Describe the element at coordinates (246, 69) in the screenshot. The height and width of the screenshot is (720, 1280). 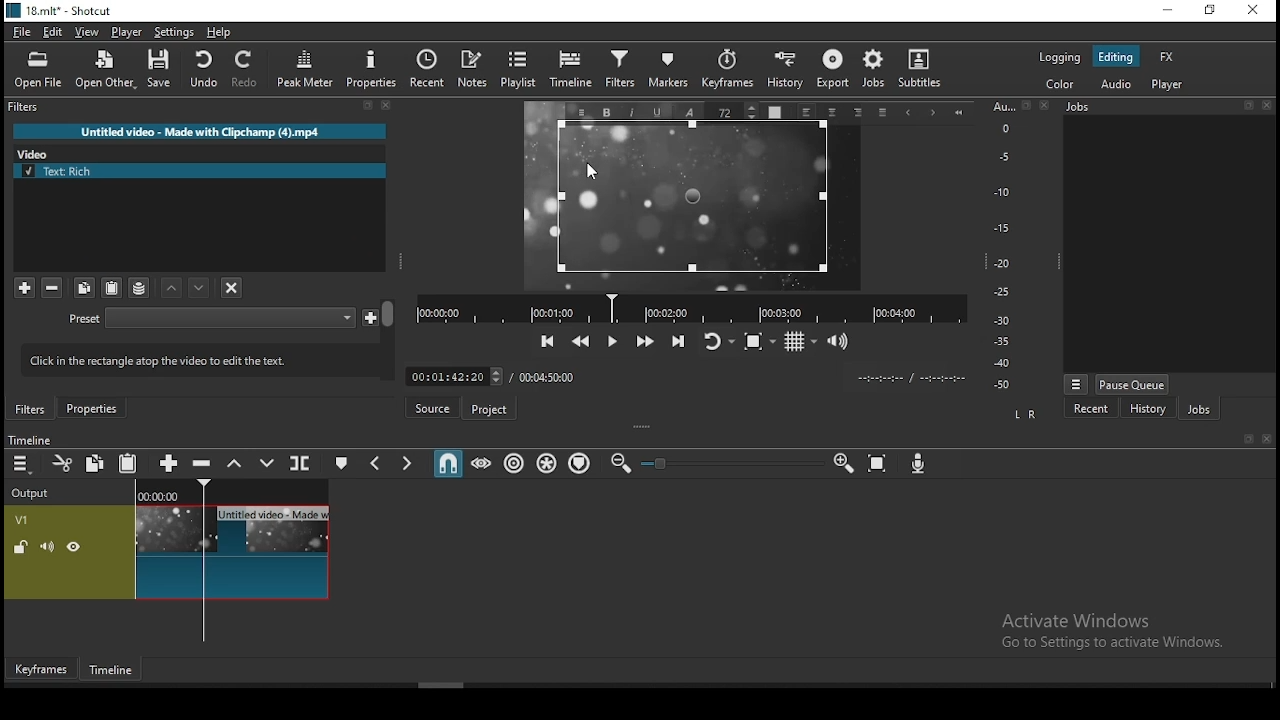
I see `redo` at that location.